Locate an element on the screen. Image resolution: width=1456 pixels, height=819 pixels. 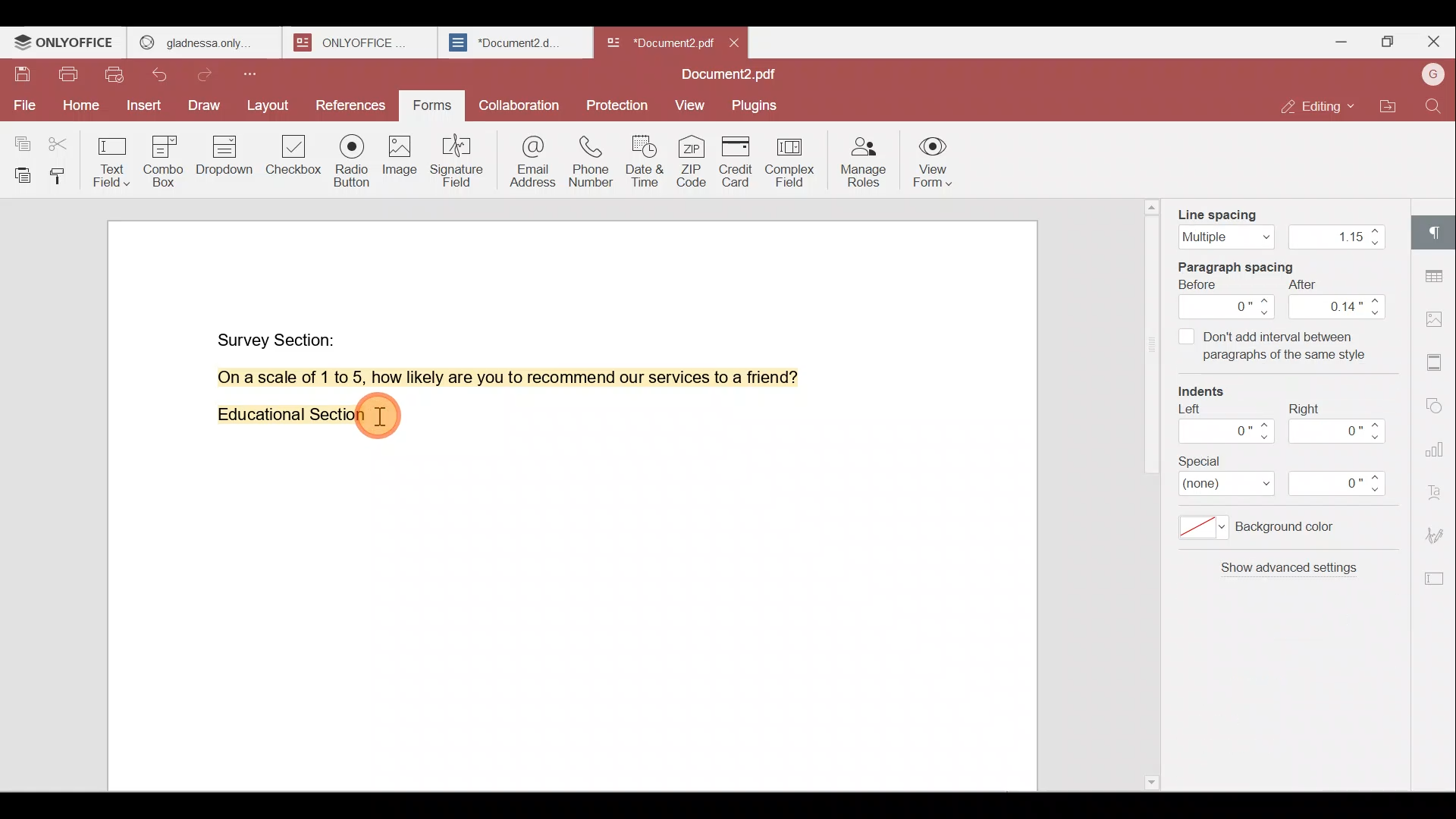
Background color is located at coordinates (1270, 532).